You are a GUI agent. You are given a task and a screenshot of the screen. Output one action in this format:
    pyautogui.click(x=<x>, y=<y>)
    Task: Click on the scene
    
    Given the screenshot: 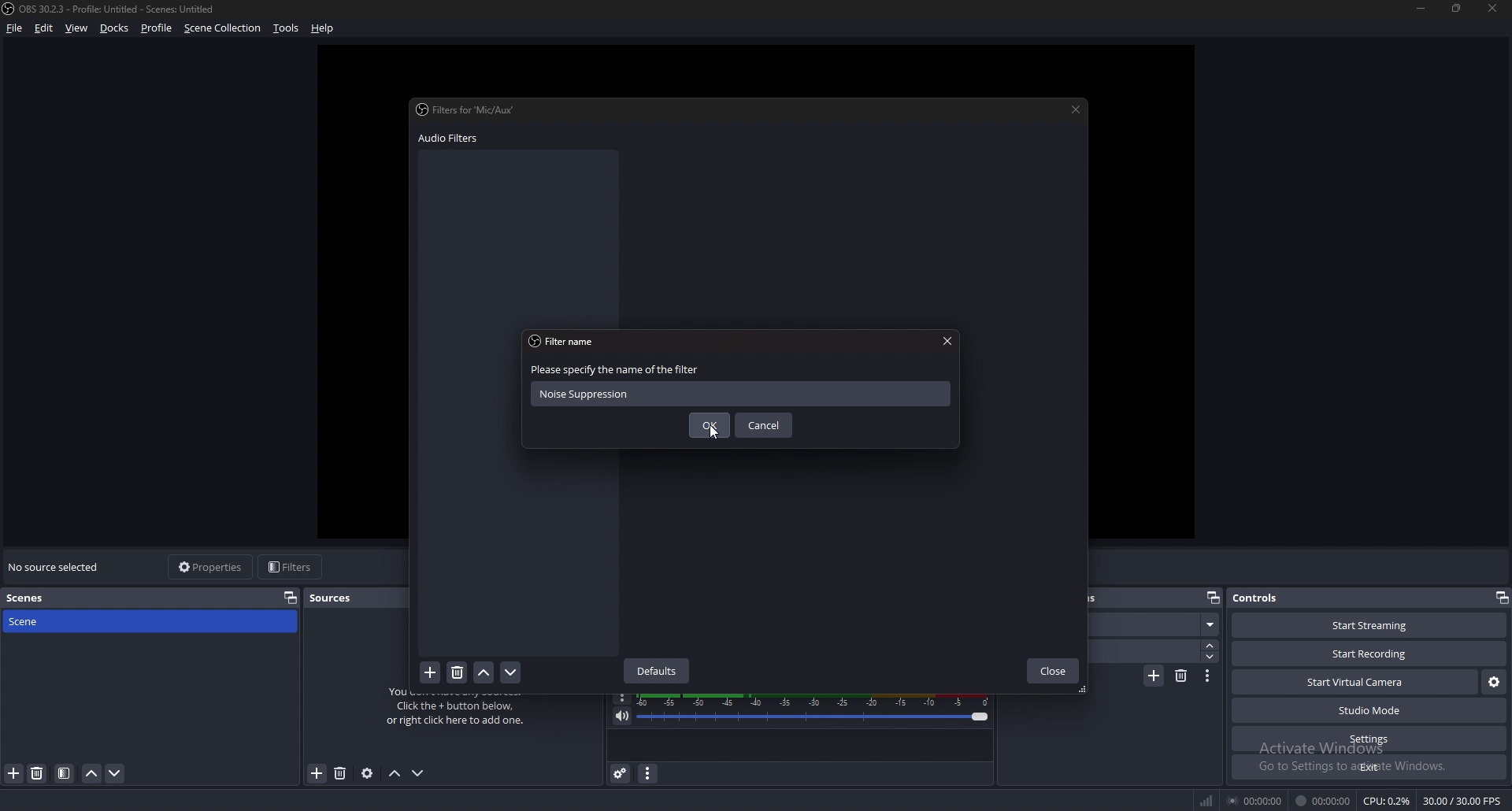 What is the action you would take?
    pyautogui.click(x=1156, y=624)
    